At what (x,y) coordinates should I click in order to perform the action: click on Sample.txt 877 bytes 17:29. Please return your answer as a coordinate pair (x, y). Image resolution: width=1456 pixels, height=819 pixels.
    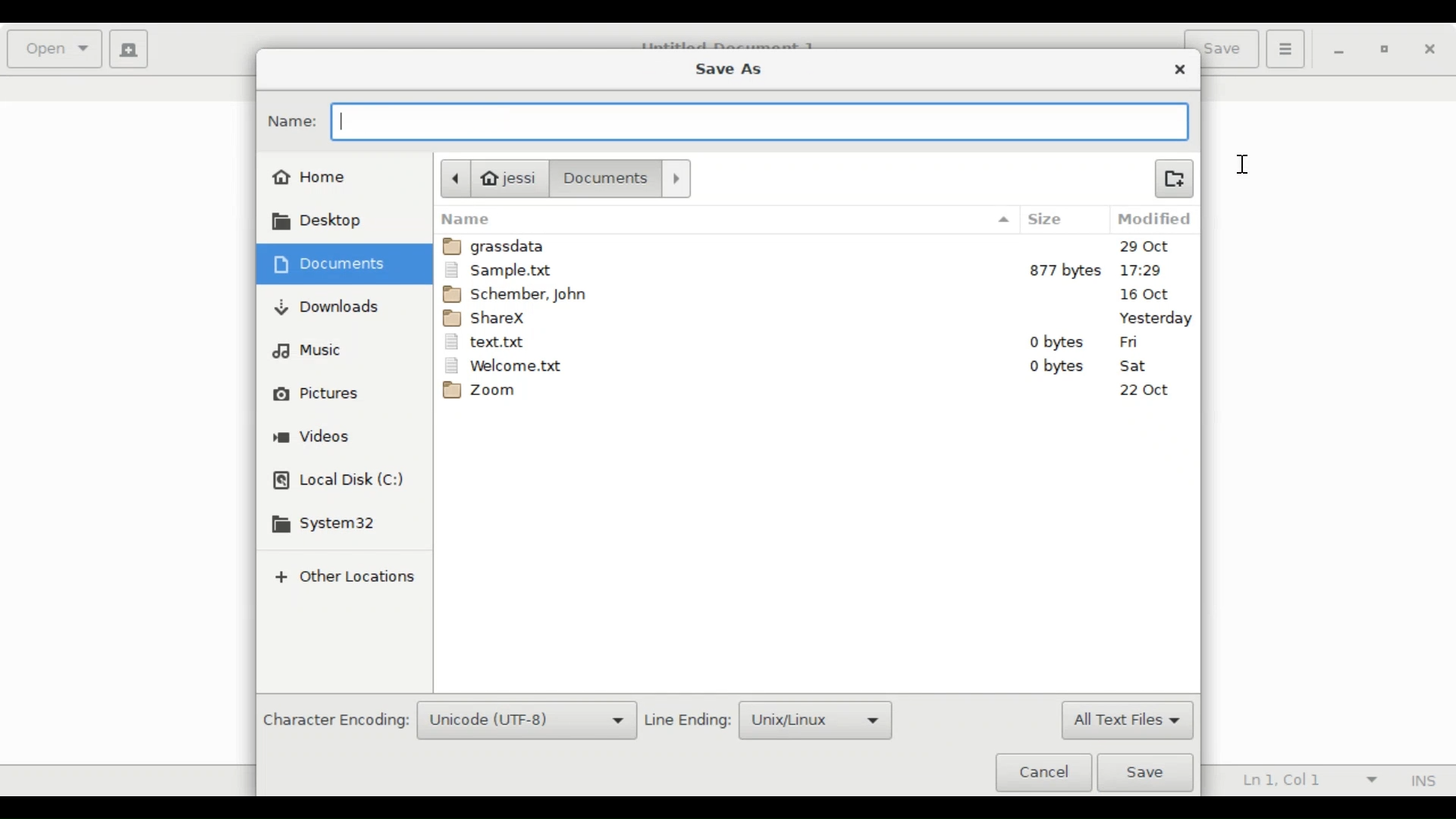
    Looking at the image, I should click on (816, 270).